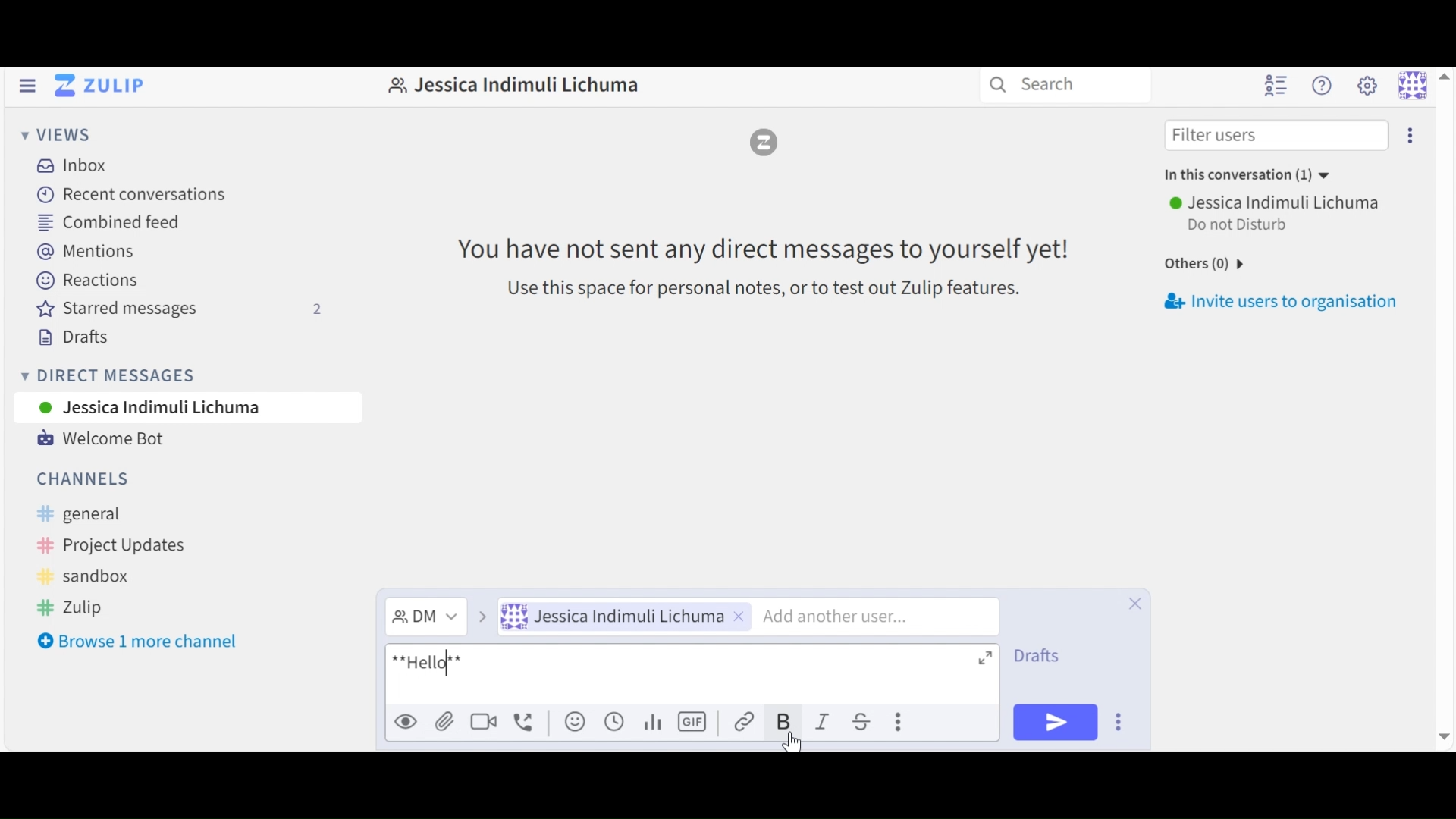  I want to click on Add poll, so click(654, 720).